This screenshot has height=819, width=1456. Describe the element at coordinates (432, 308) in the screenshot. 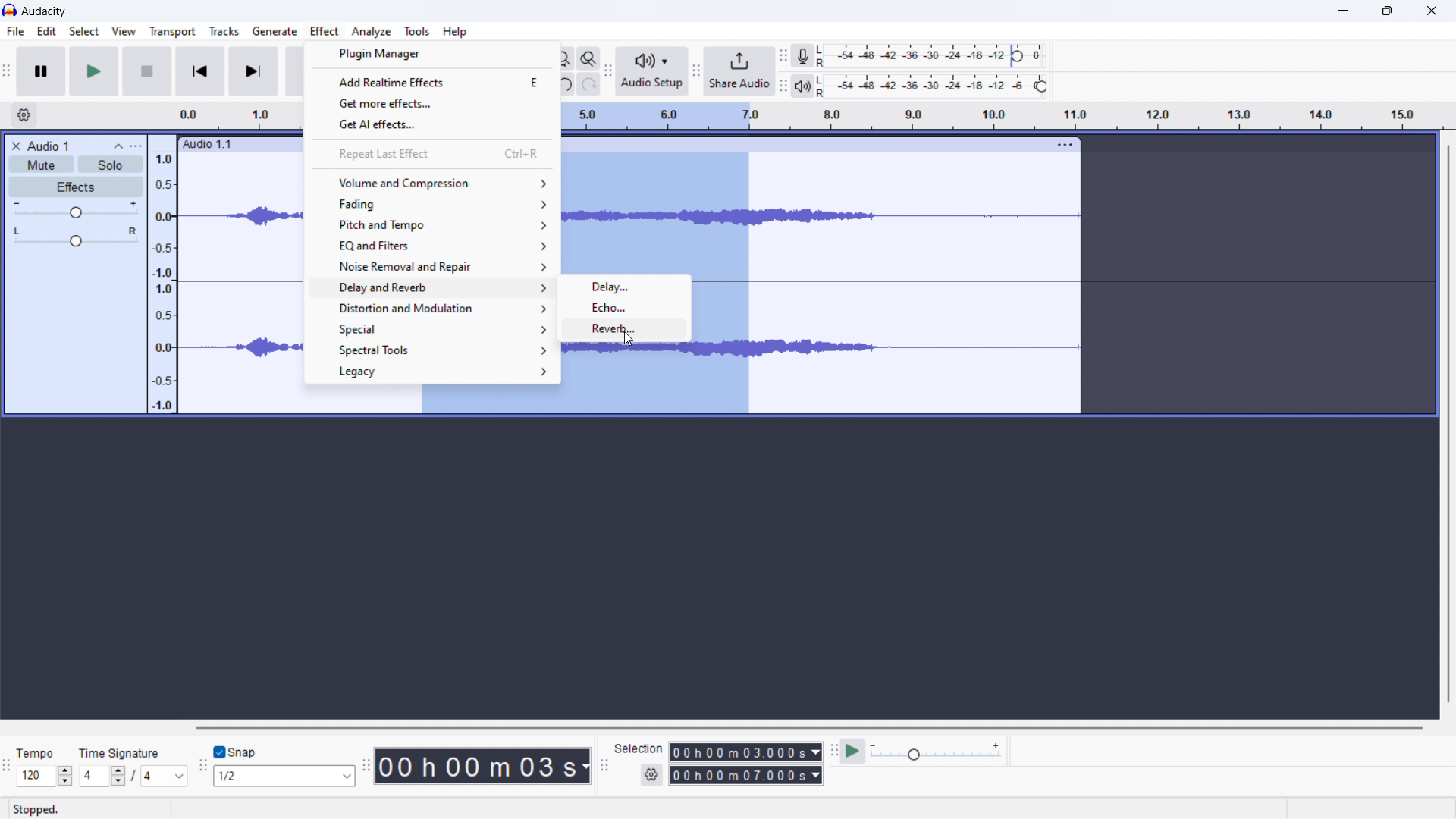

I see `distortion and modulation` at that location.